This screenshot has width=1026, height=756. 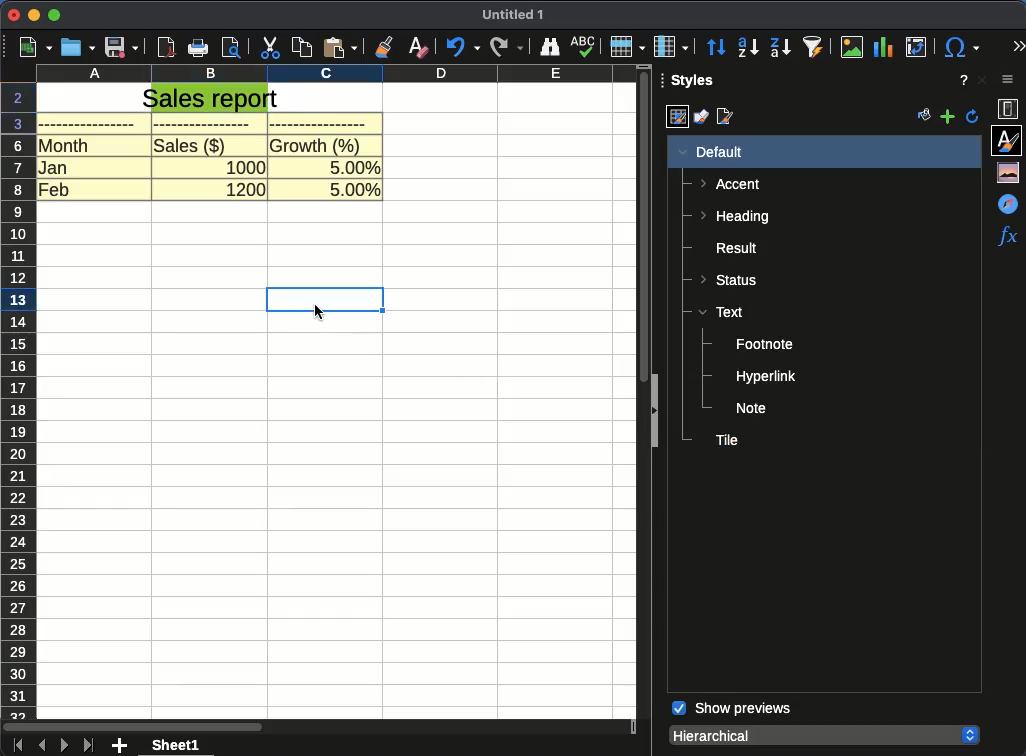 What do you see at coordinates (56, 167) in the screenshot?
I see `jan` at bounding box center [56, 167].